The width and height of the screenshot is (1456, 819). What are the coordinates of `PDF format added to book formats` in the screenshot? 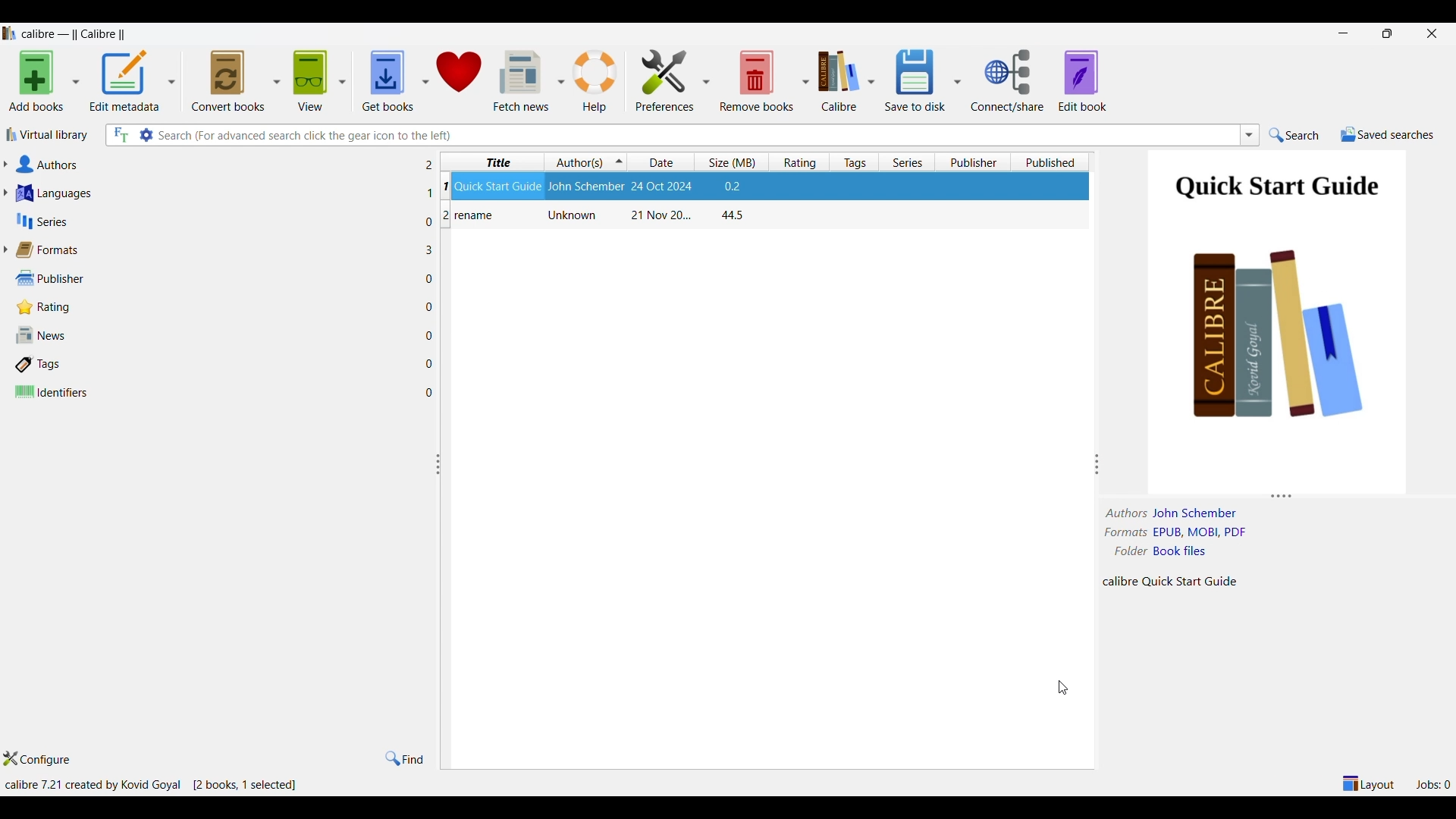 It's located at (1213, 532).